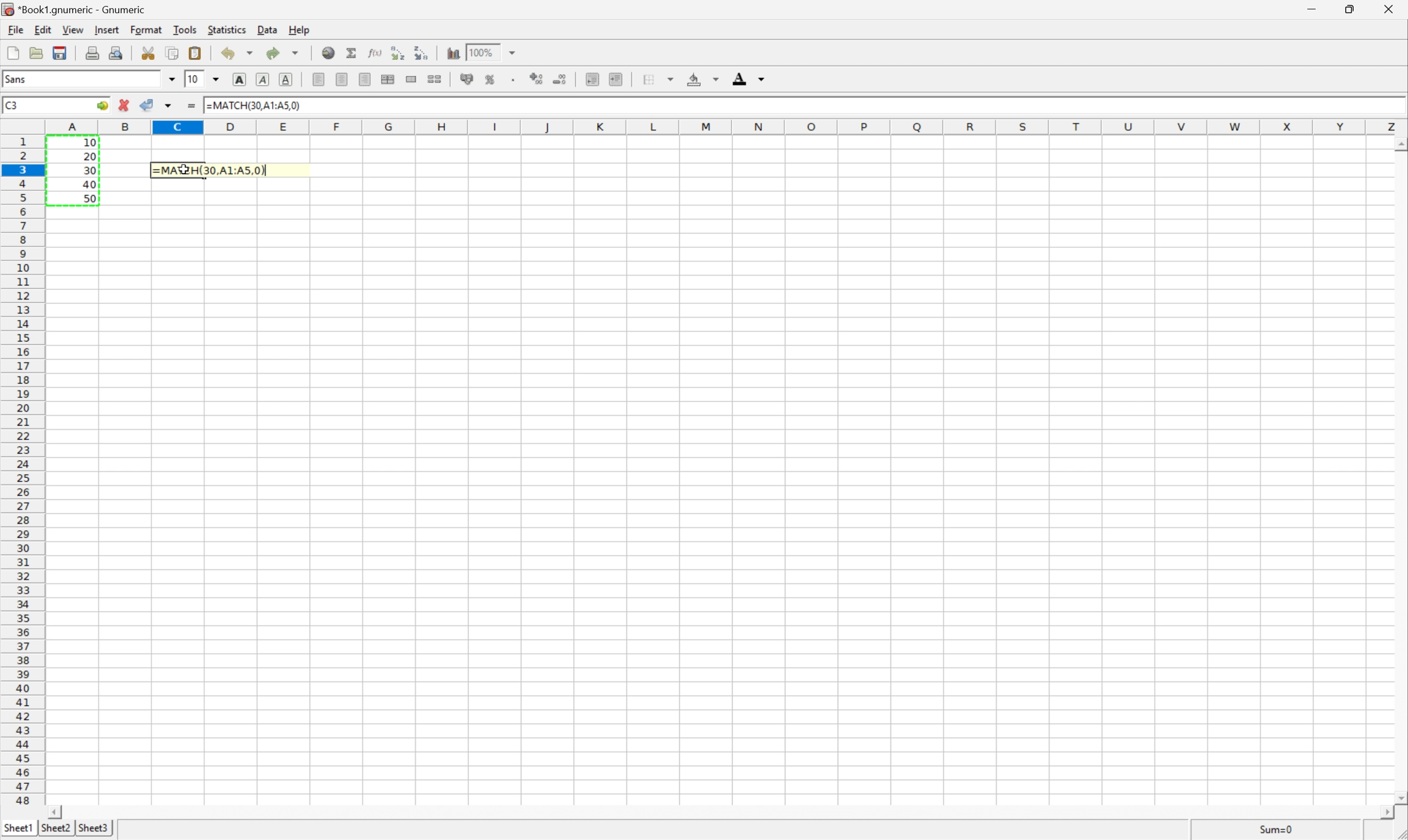  What do you see at coordinates (327, 53) in the screenshot?
I see `Insert a hyperlink` at bounding box center [327, 53].